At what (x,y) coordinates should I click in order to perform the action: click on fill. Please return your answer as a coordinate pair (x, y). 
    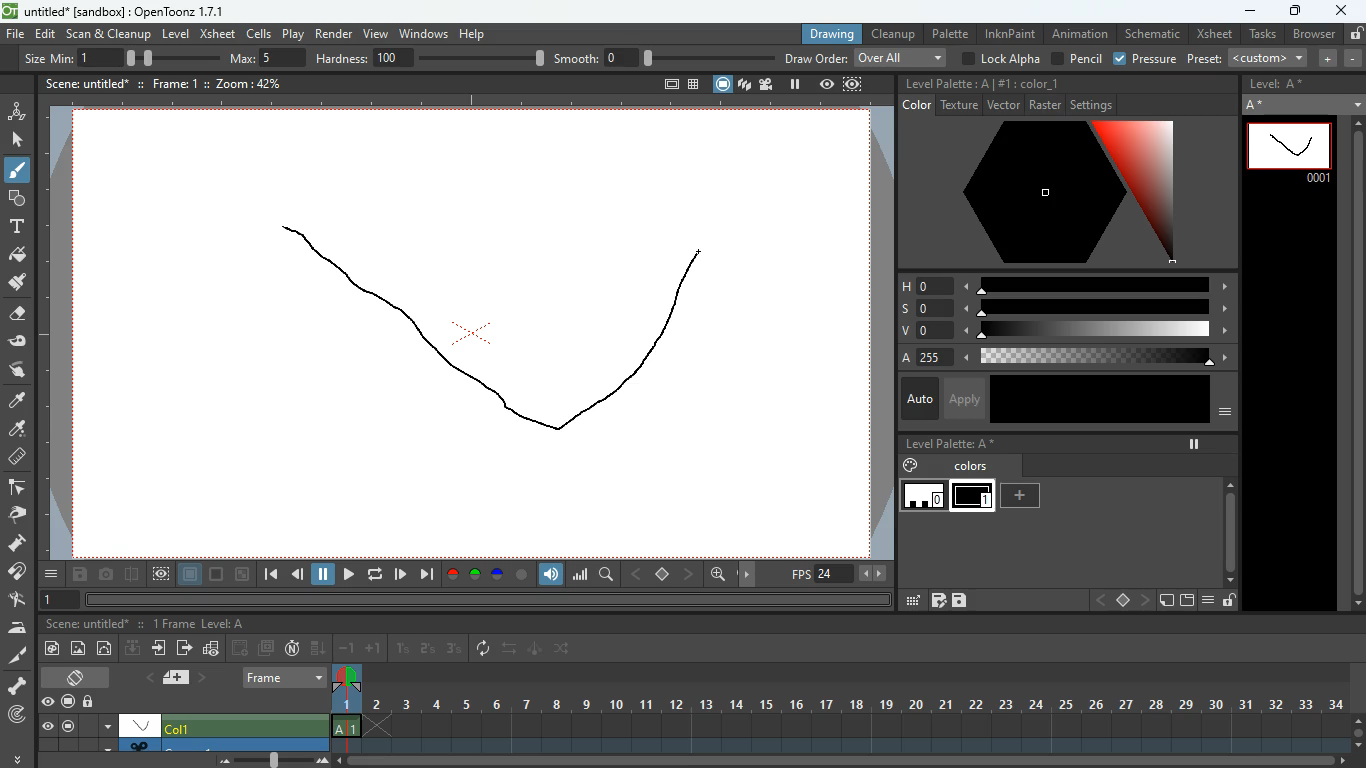
    Looking at the image, I should click on (18, 256).